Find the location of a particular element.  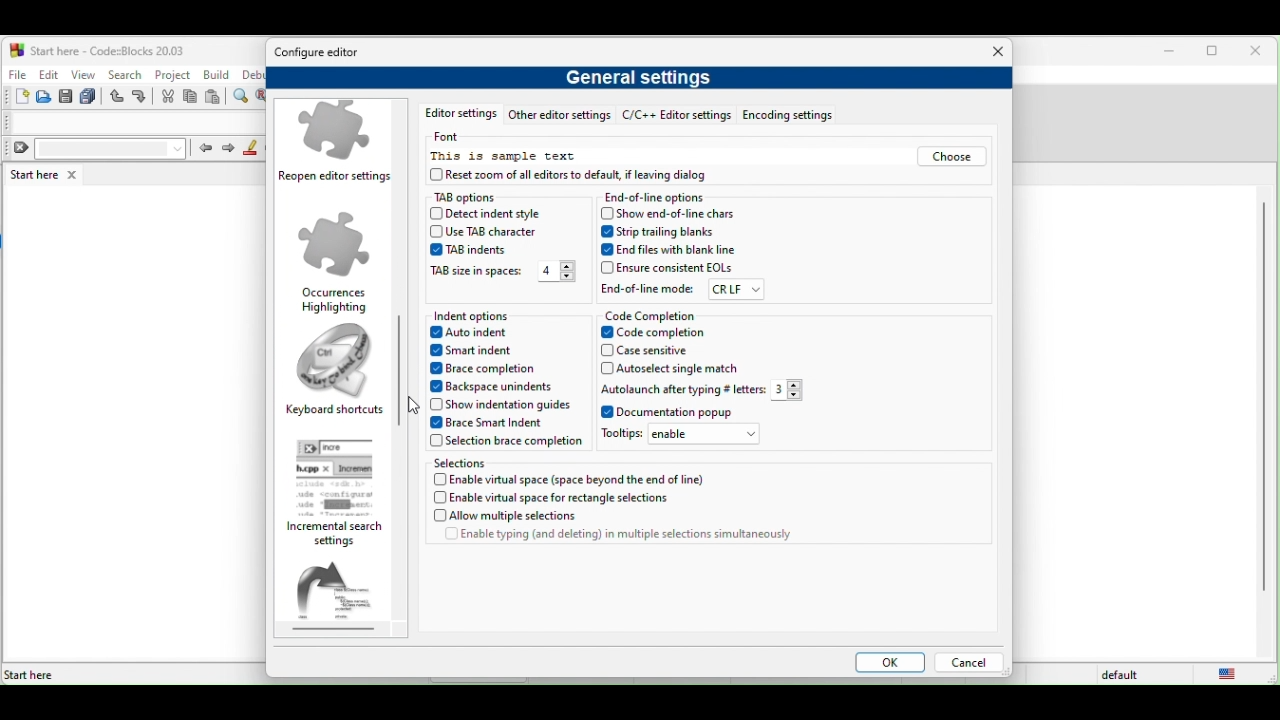

close is located at coordinates (993, 53).